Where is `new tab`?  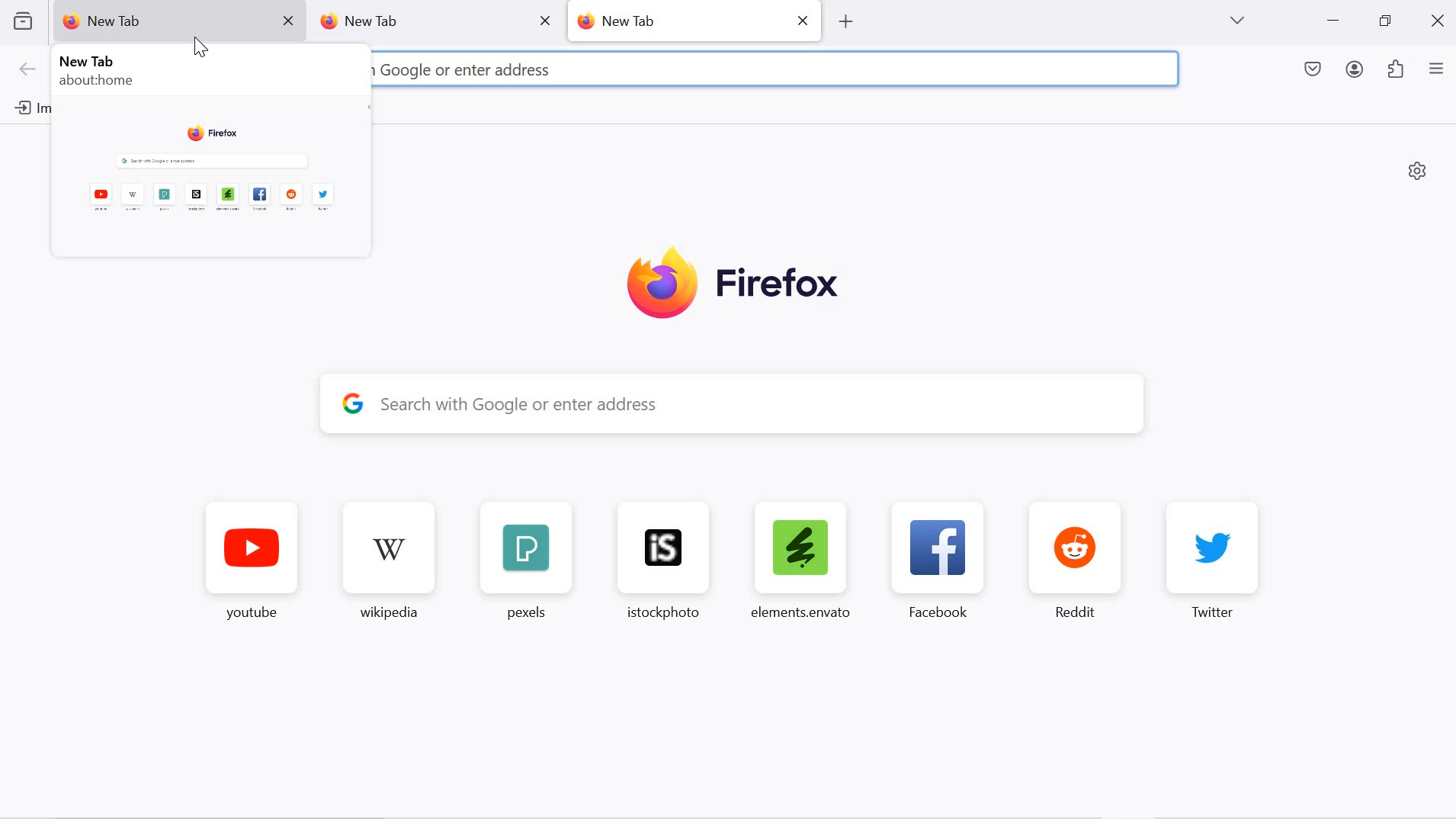 new tab is located at coordinates (678, 20).